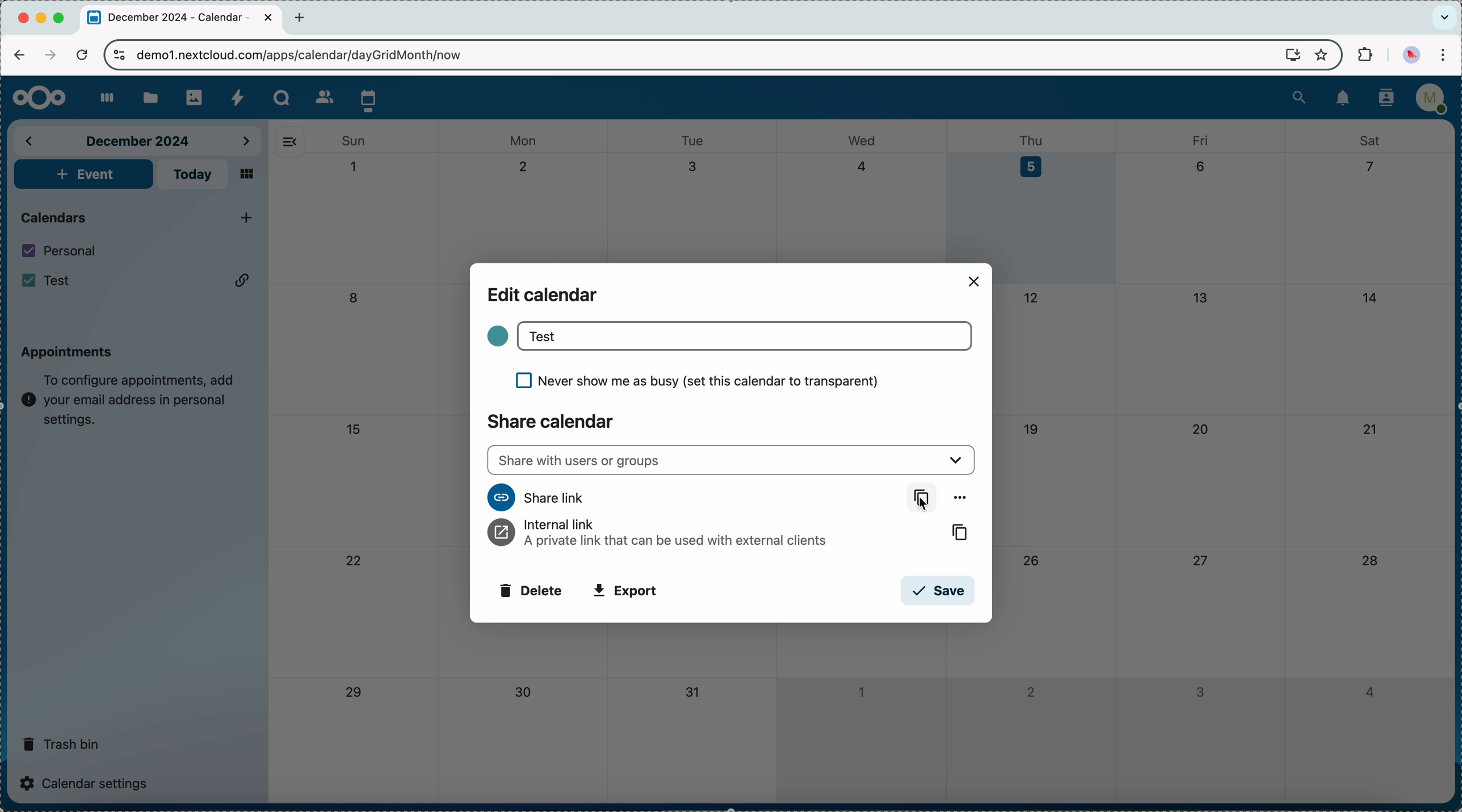 The width and height of the screenshot is (1462, 812). Describe the element at coordinates (194, 94) in the screenshot. I see `photos` at that location.